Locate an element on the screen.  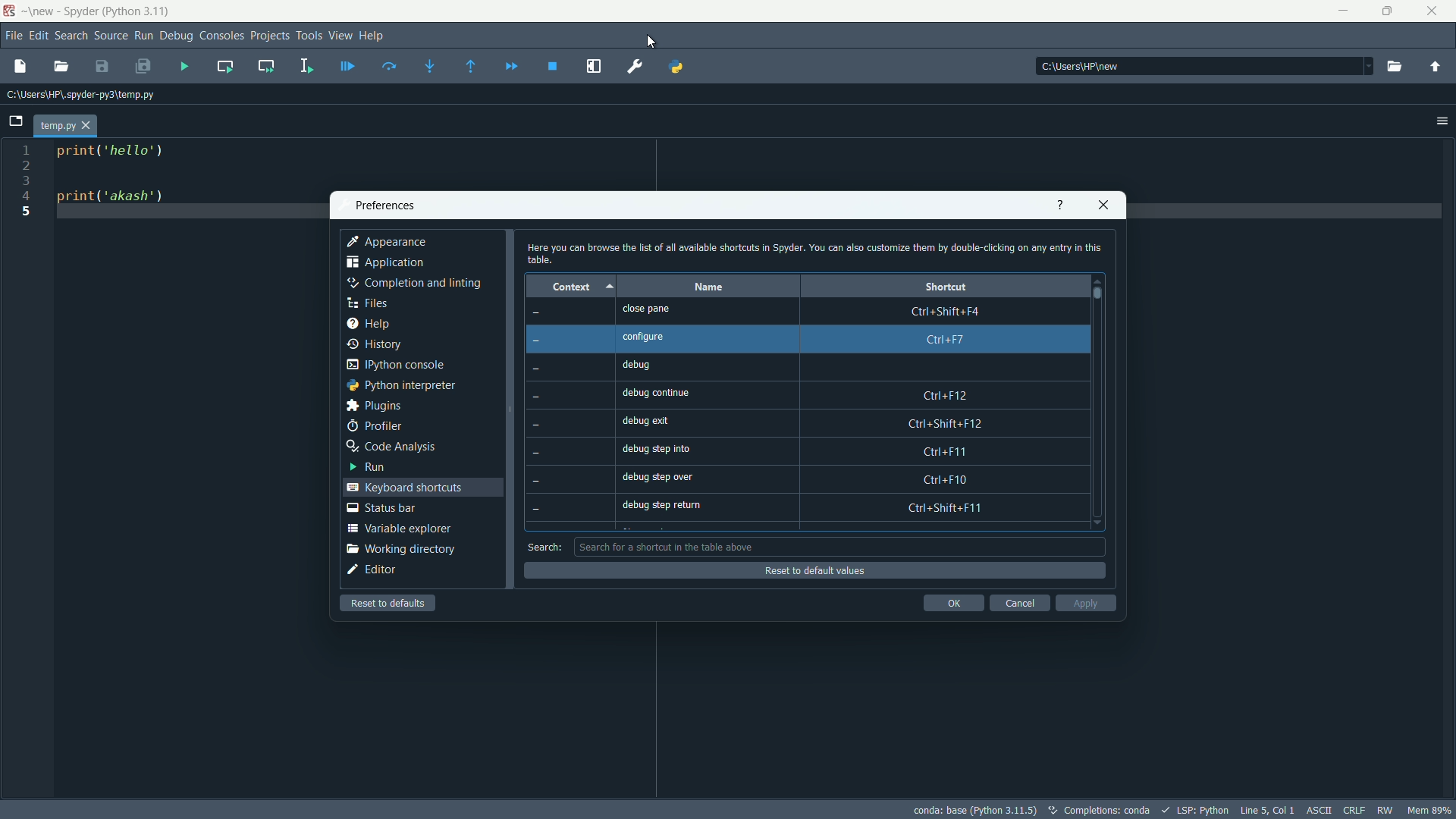
run until next function is located at coordinates (472, 67).